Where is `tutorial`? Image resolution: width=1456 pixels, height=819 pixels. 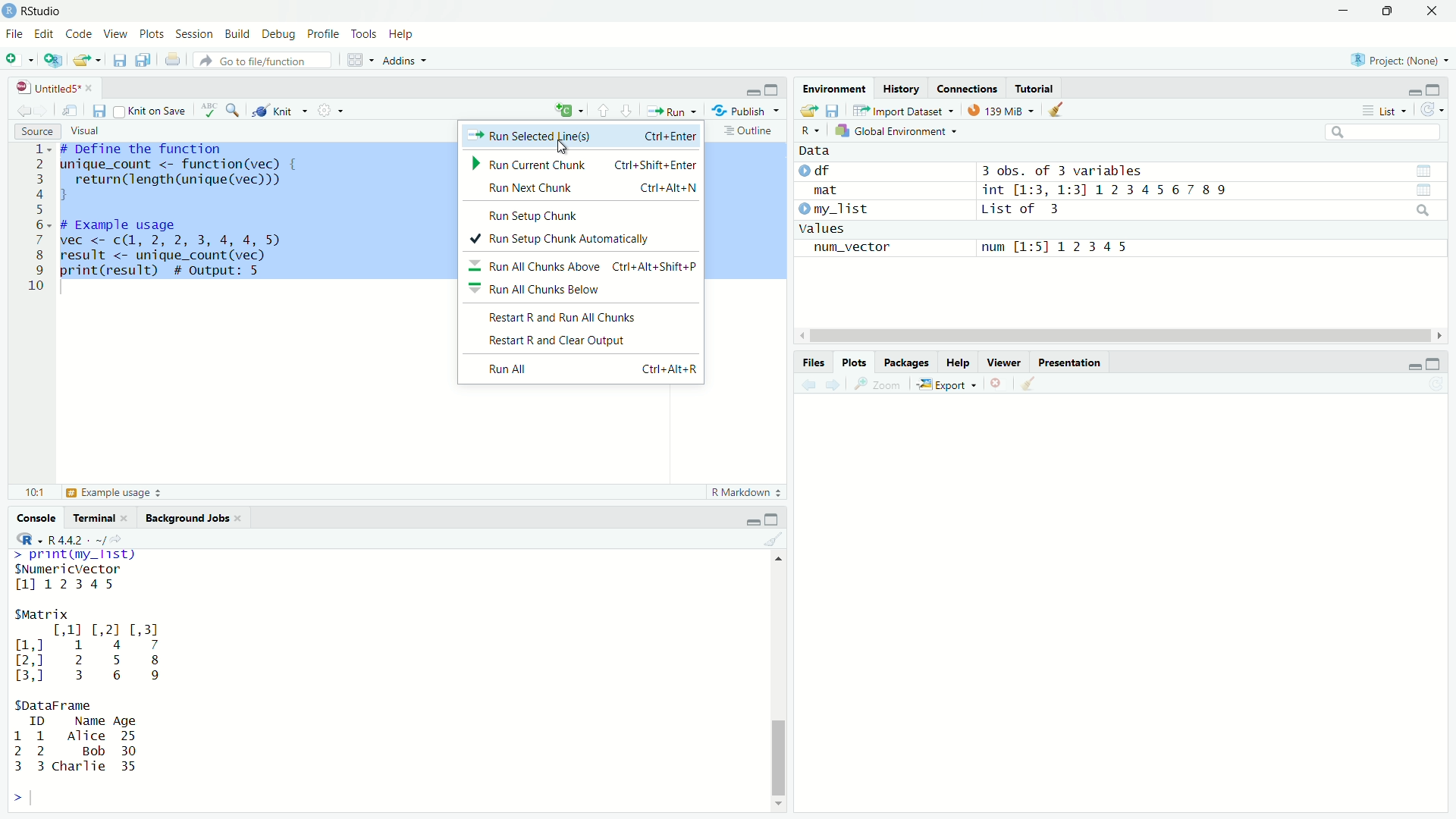
tutorial is located at coordinates (1037, 90).